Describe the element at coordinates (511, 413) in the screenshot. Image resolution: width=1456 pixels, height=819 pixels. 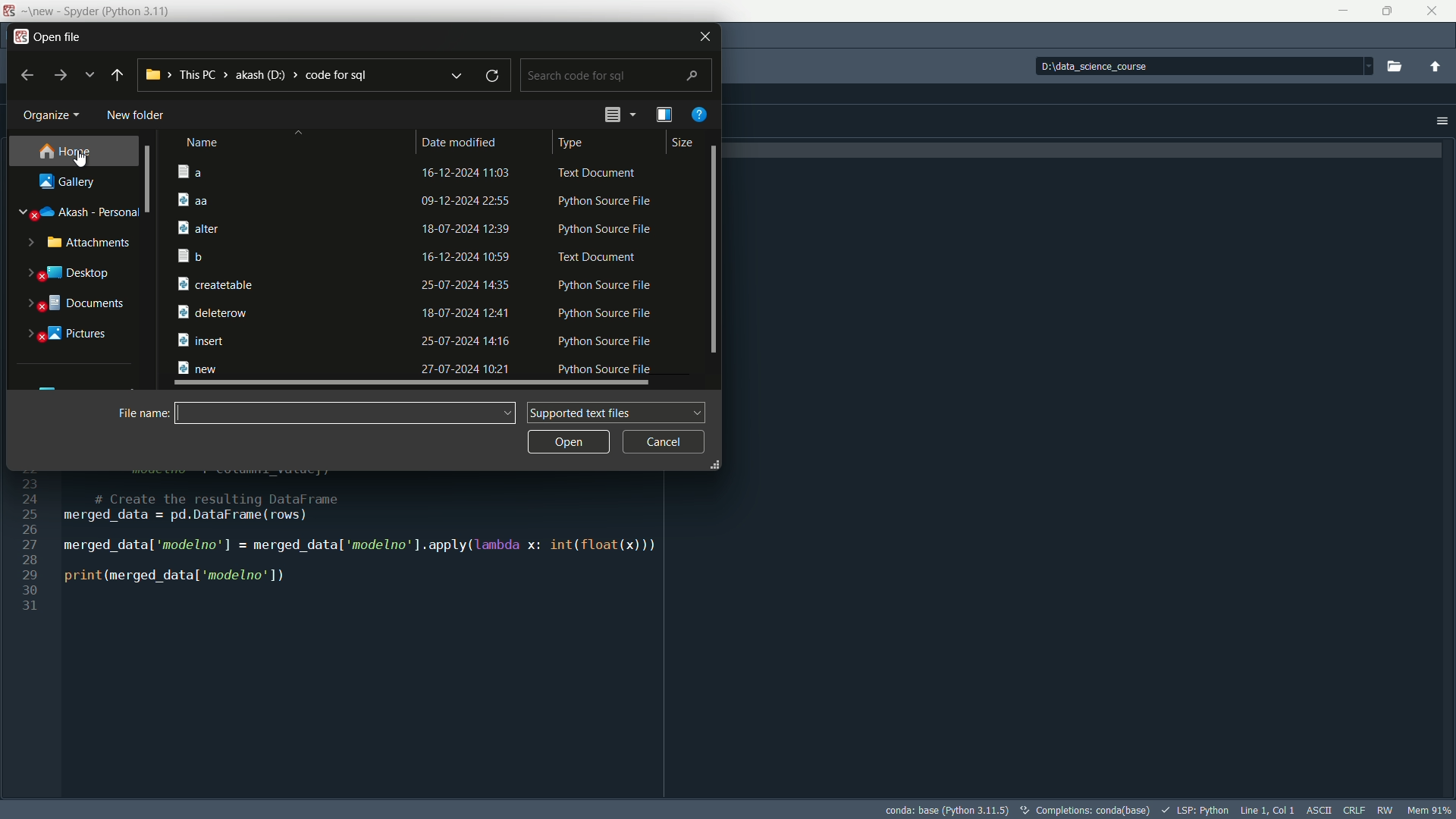
I see `dropdown` at that location.